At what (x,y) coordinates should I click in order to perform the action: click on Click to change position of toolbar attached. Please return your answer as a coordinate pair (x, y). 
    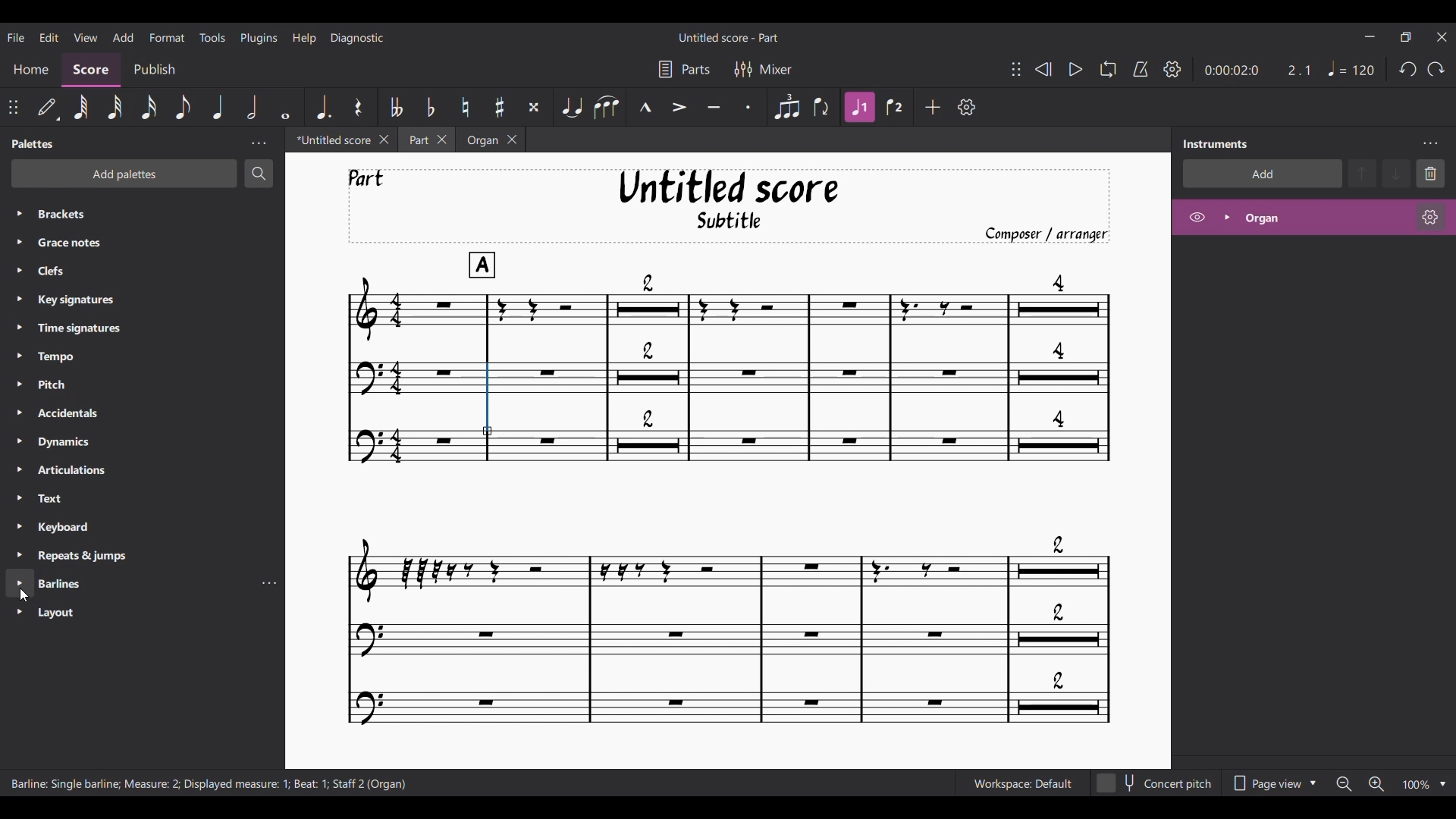
    Looking at the image, I should click on (12, 107).